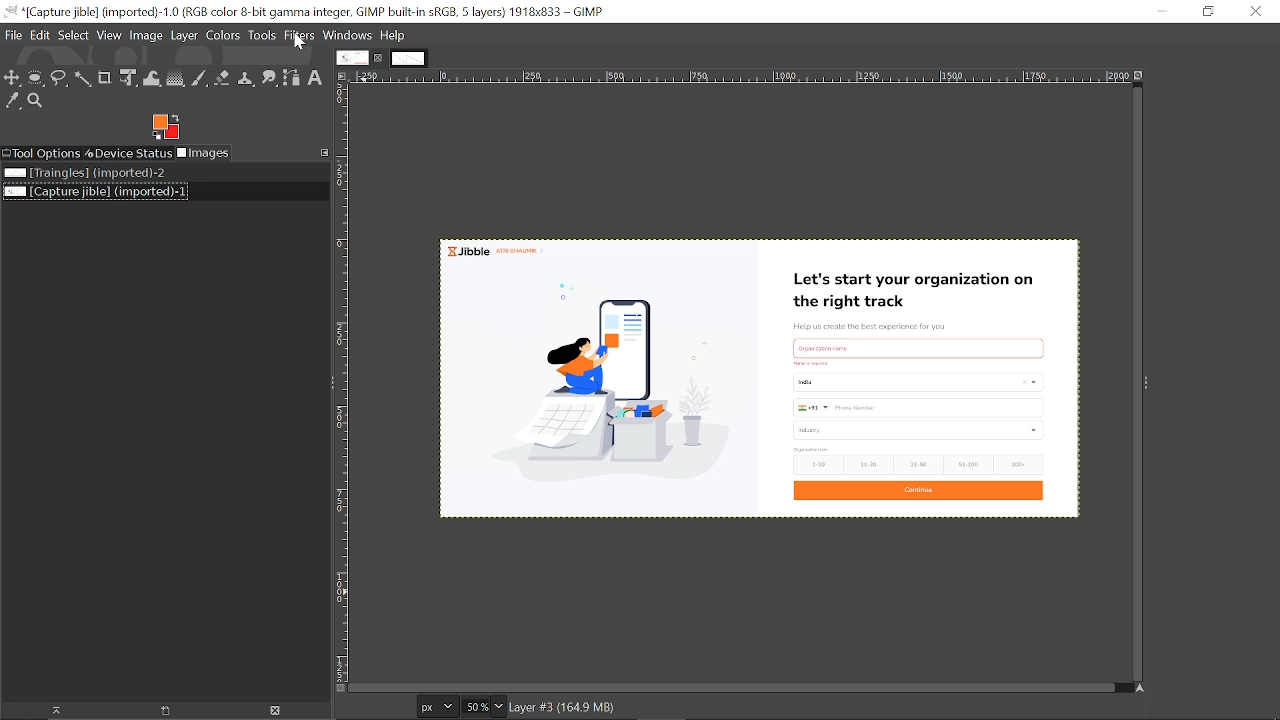  What do you see at coordinates (248, 79) in the screenshot?
I see `Clone tool` at bounding box center [248, 79].